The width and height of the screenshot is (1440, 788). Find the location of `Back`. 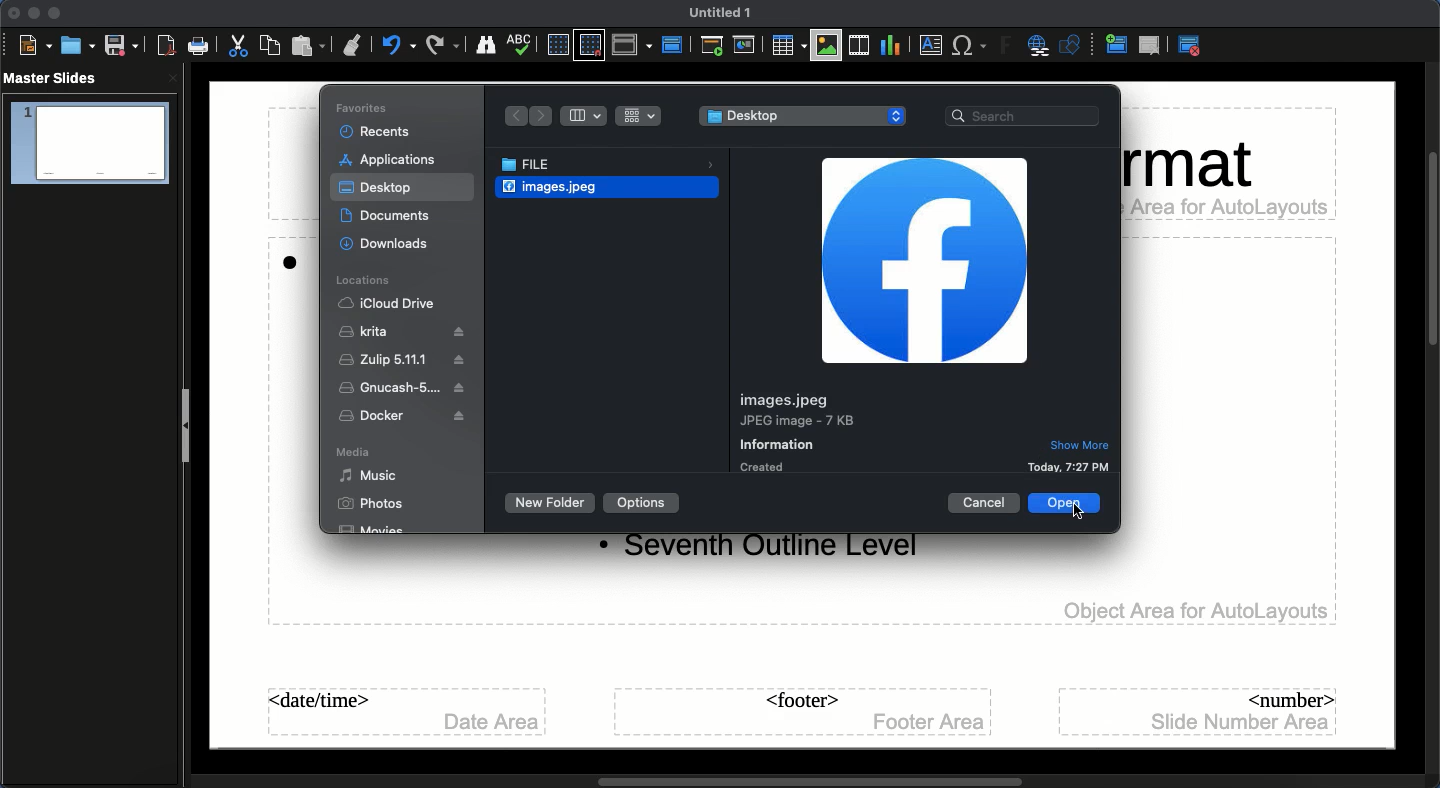

Back is located at coordinates (513, 116).